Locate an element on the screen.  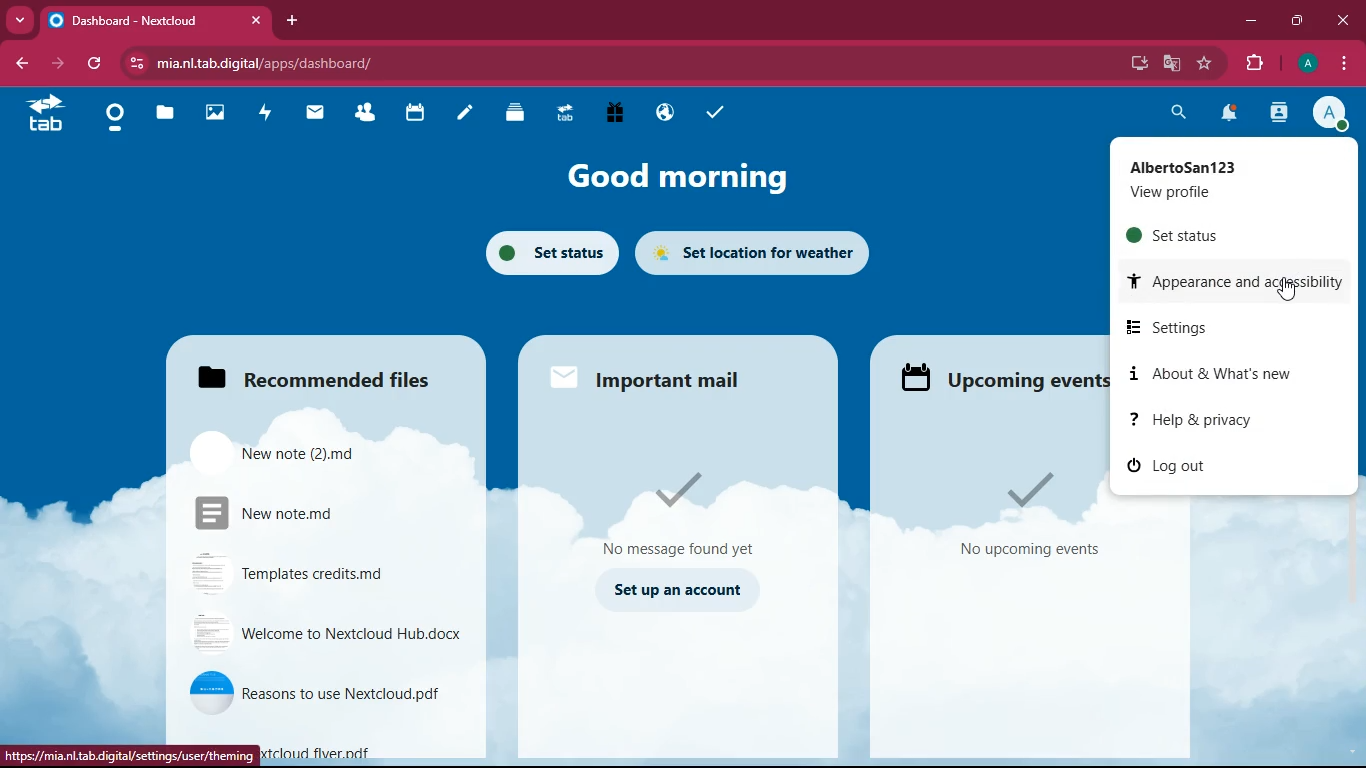
minimize is located at coordinates (1251, 21).